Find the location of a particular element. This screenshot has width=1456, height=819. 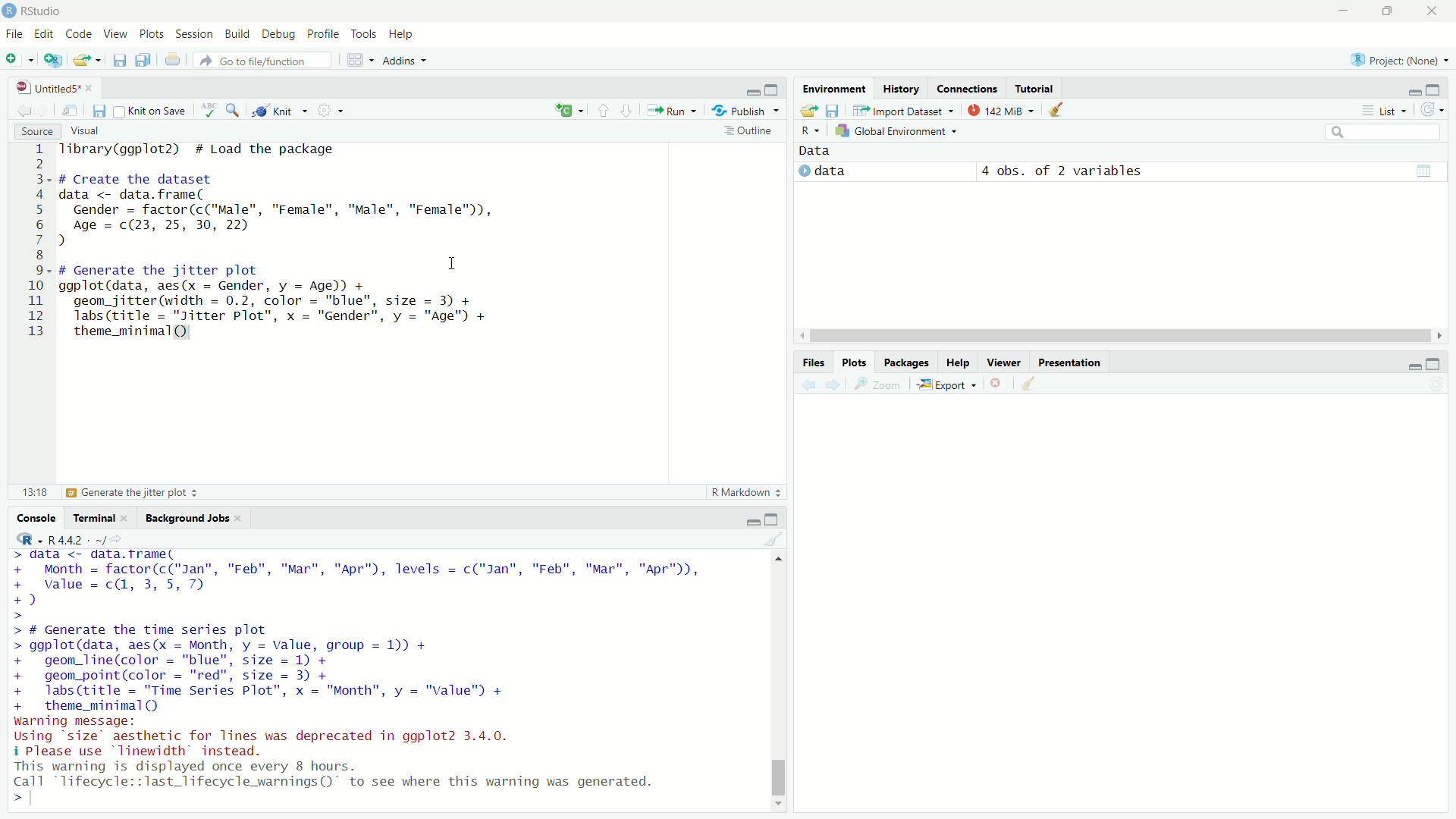

view a larger version of the plot in a new window is located at coordinates (883, 385).